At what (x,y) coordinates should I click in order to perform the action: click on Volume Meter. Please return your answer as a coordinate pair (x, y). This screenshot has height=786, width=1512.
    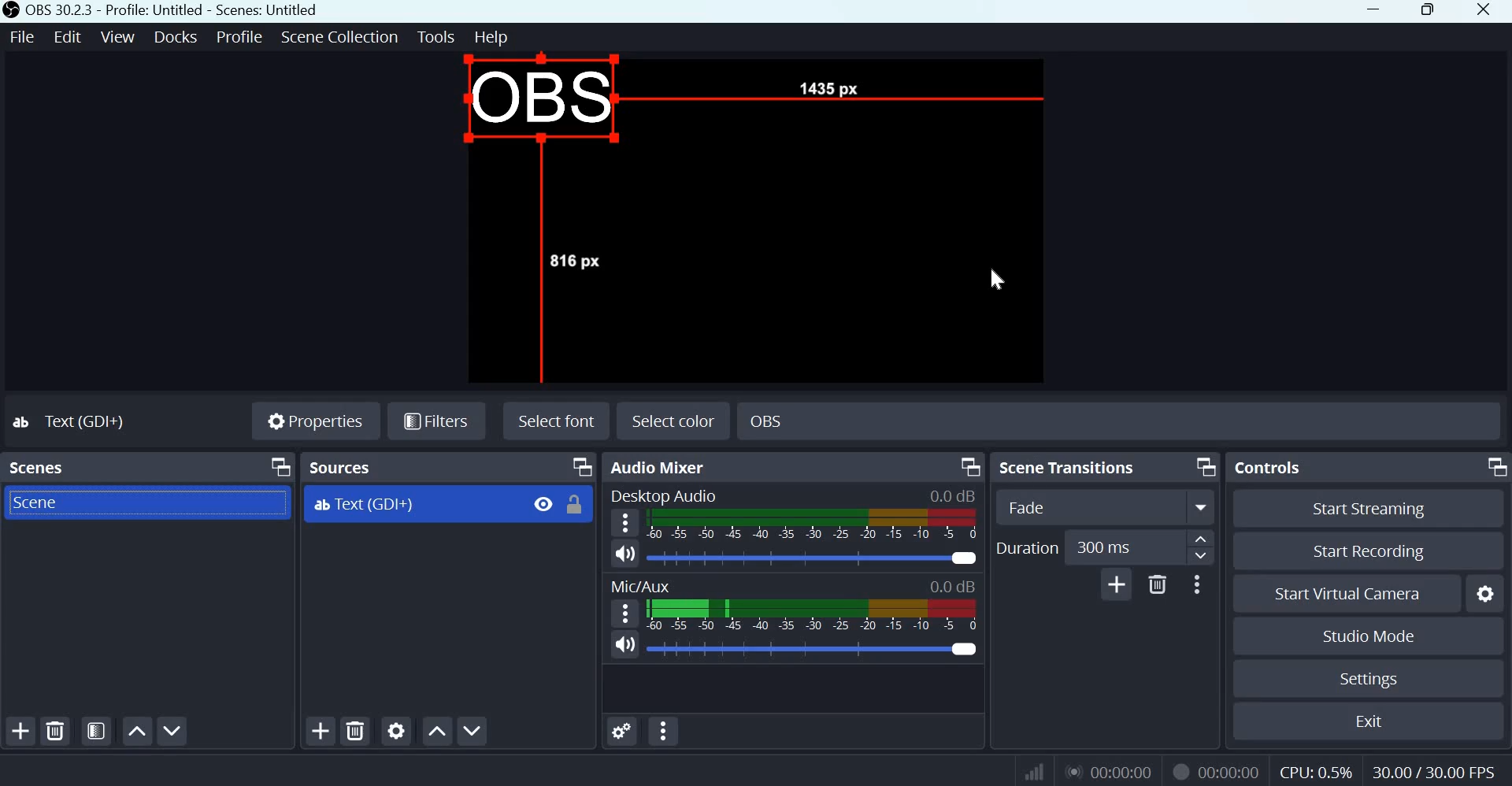
    Looking at the image, I should click on (813, 618).